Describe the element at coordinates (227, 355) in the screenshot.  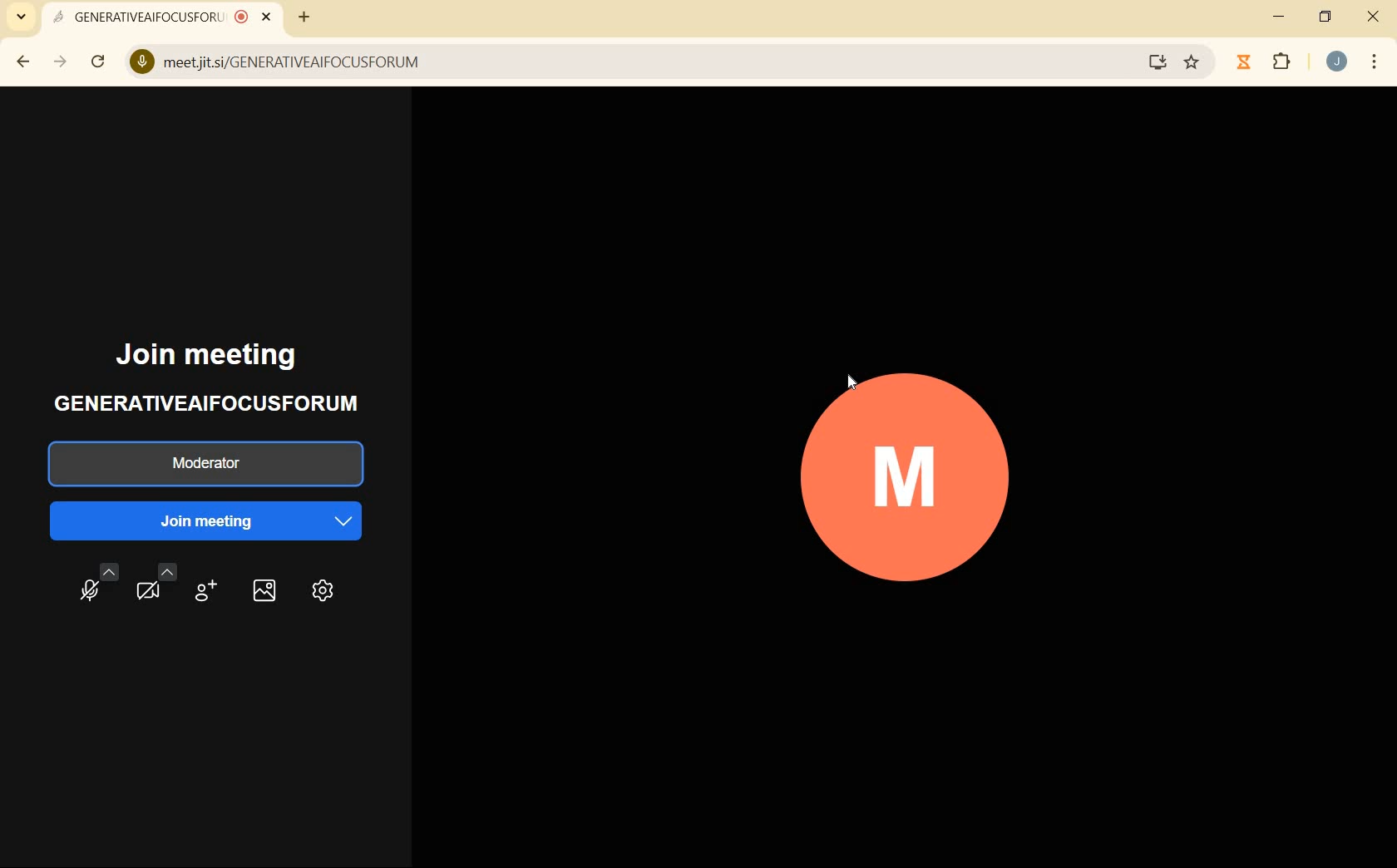
I see `JOIN MEETING` at that location.